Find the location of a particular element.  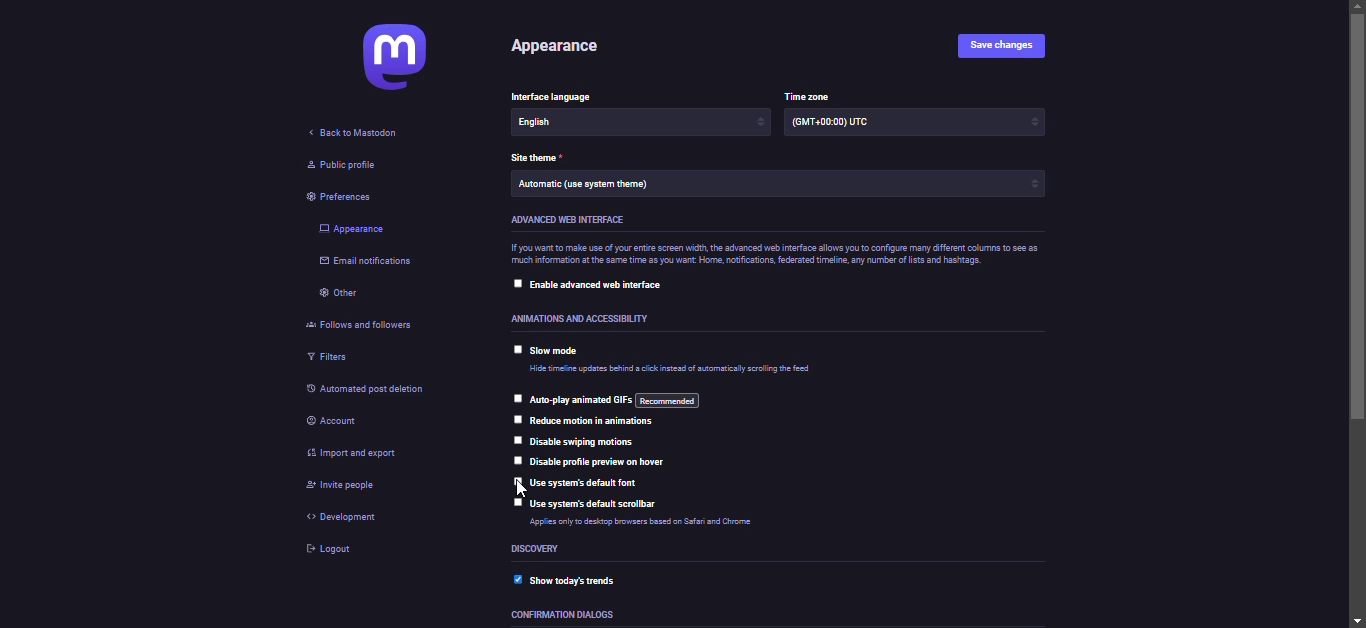

public profile is located at coordinates (342, 169).